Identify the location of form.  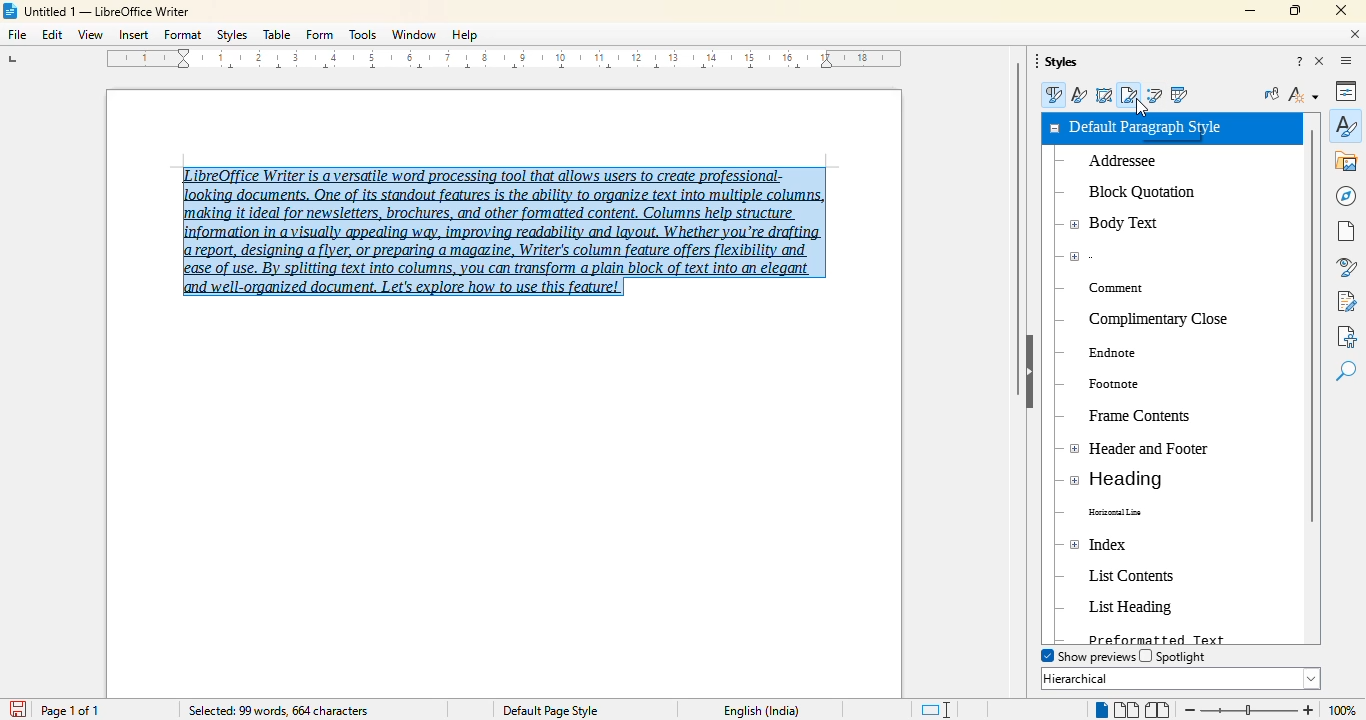
(320, 34).